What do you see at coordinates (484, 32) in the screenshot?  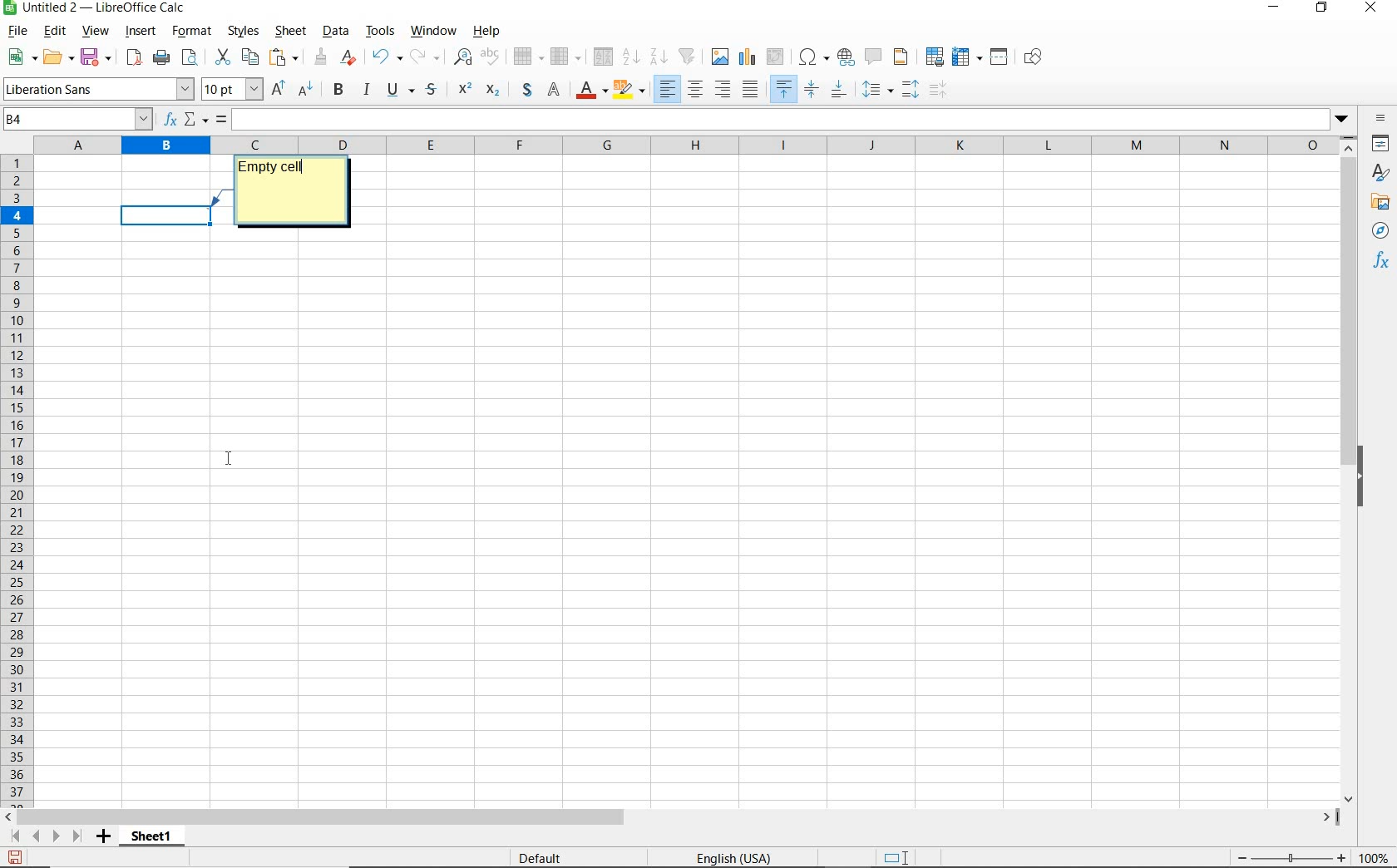 I see `help` at bounding box center [484, 32].